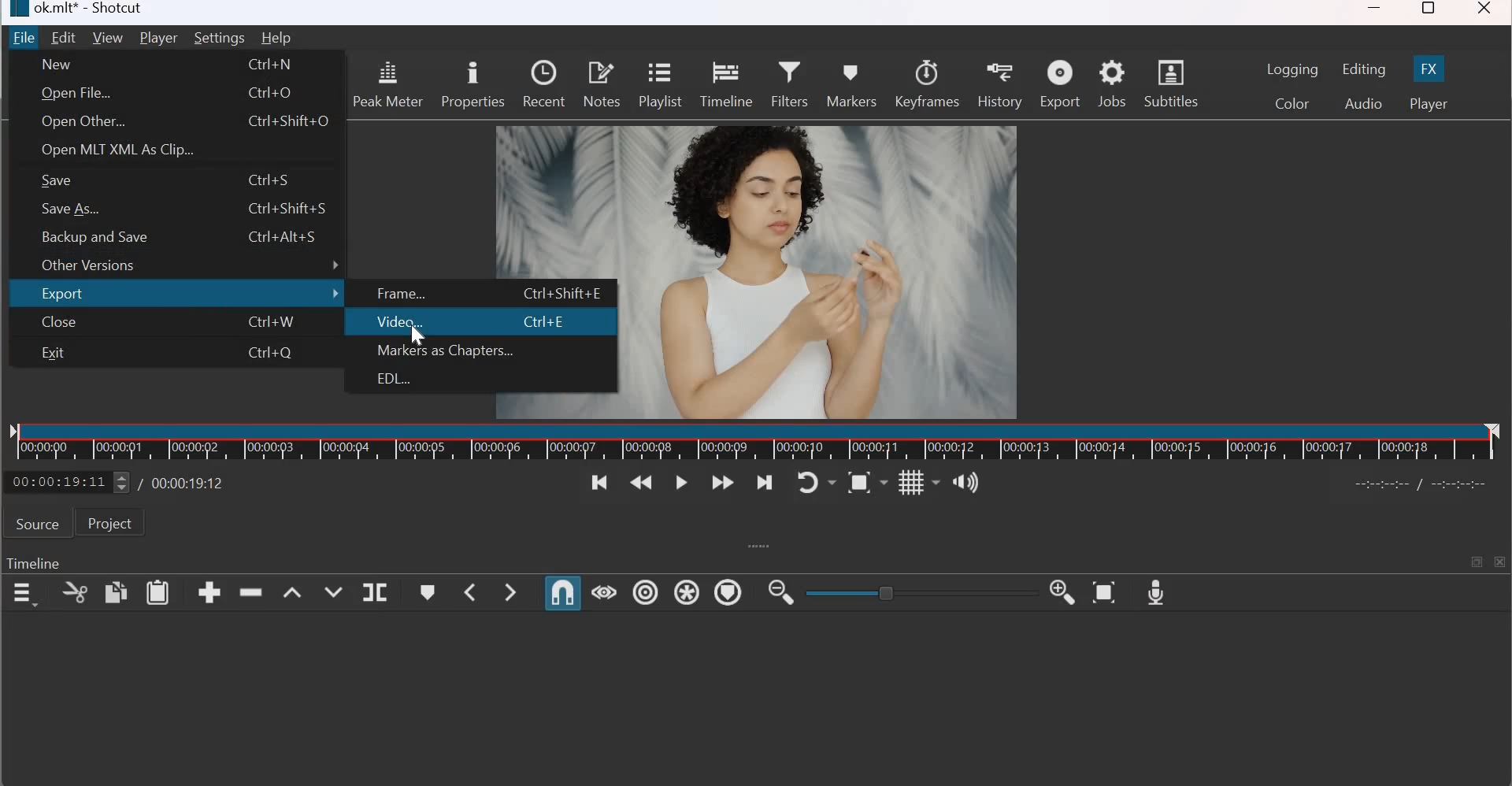 Image resolution: width=1512 pixels, height=786 pixels. I want to click on Close, so click(57, 322).